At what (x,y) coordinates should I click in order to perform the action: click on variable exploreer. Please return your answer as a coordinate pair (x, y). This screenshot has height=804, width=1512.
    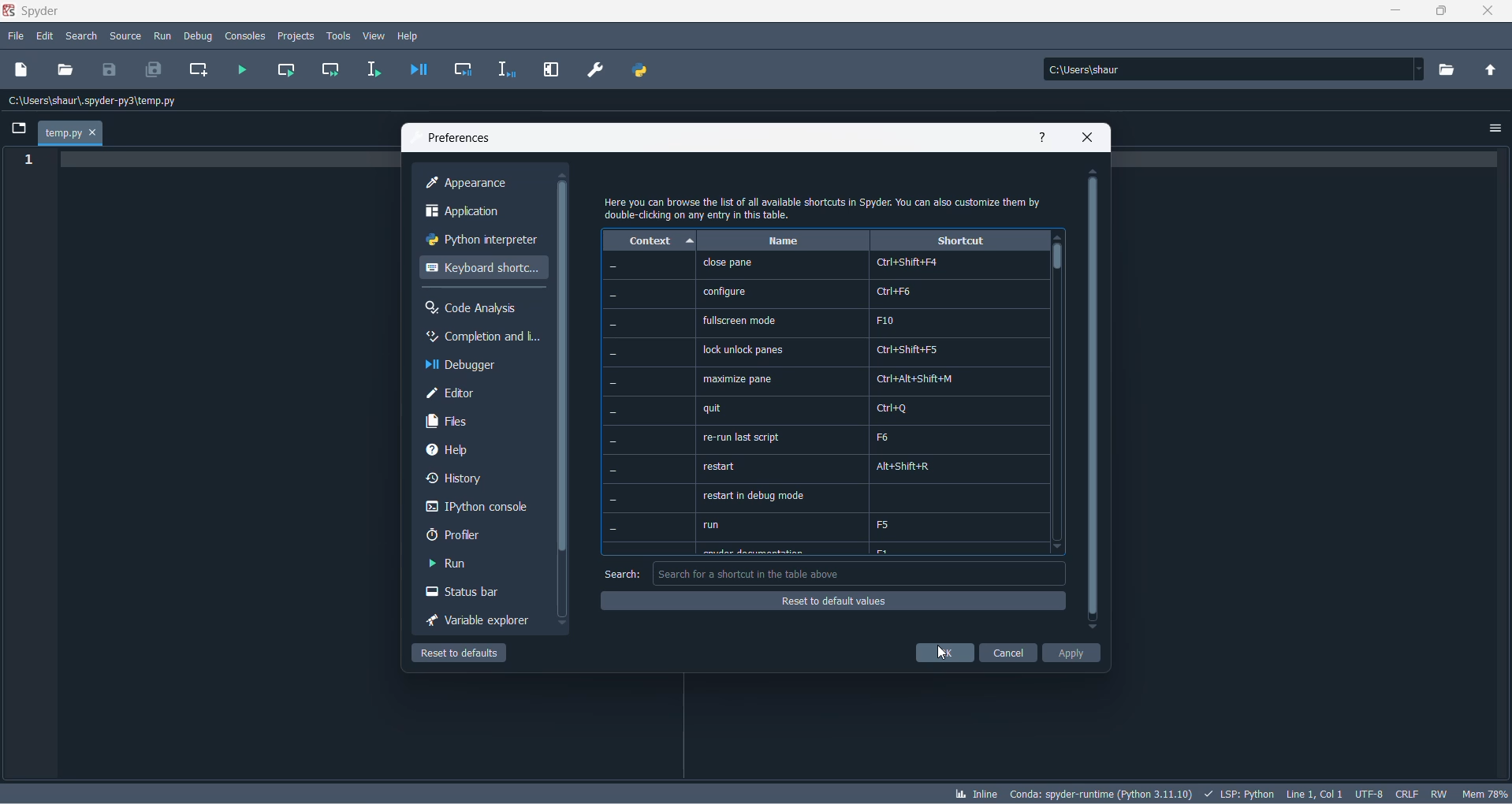
    Looking at the image, I should click on (478, 623).